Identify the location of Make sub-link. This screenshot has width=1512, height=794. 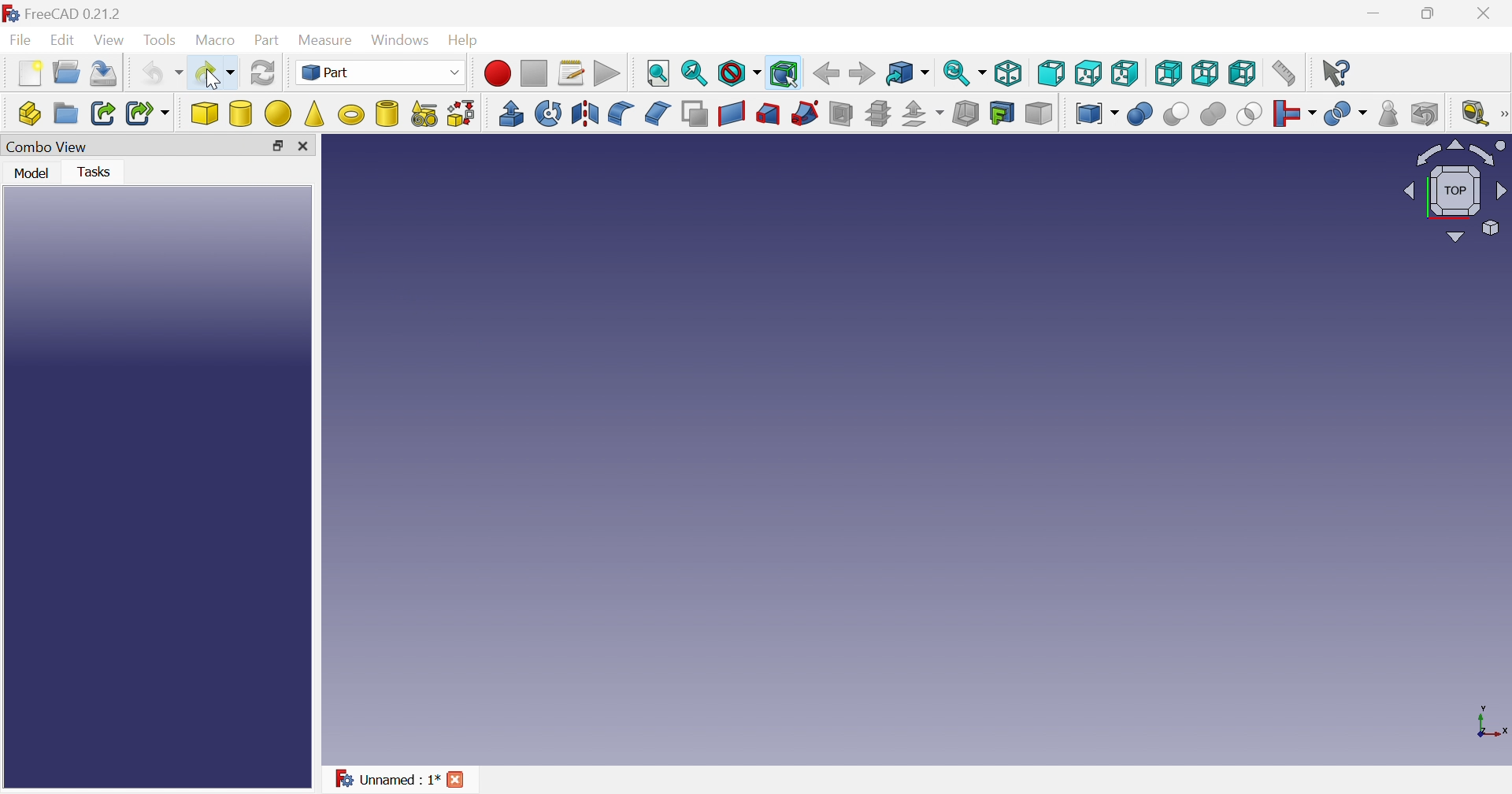
(147, 114).